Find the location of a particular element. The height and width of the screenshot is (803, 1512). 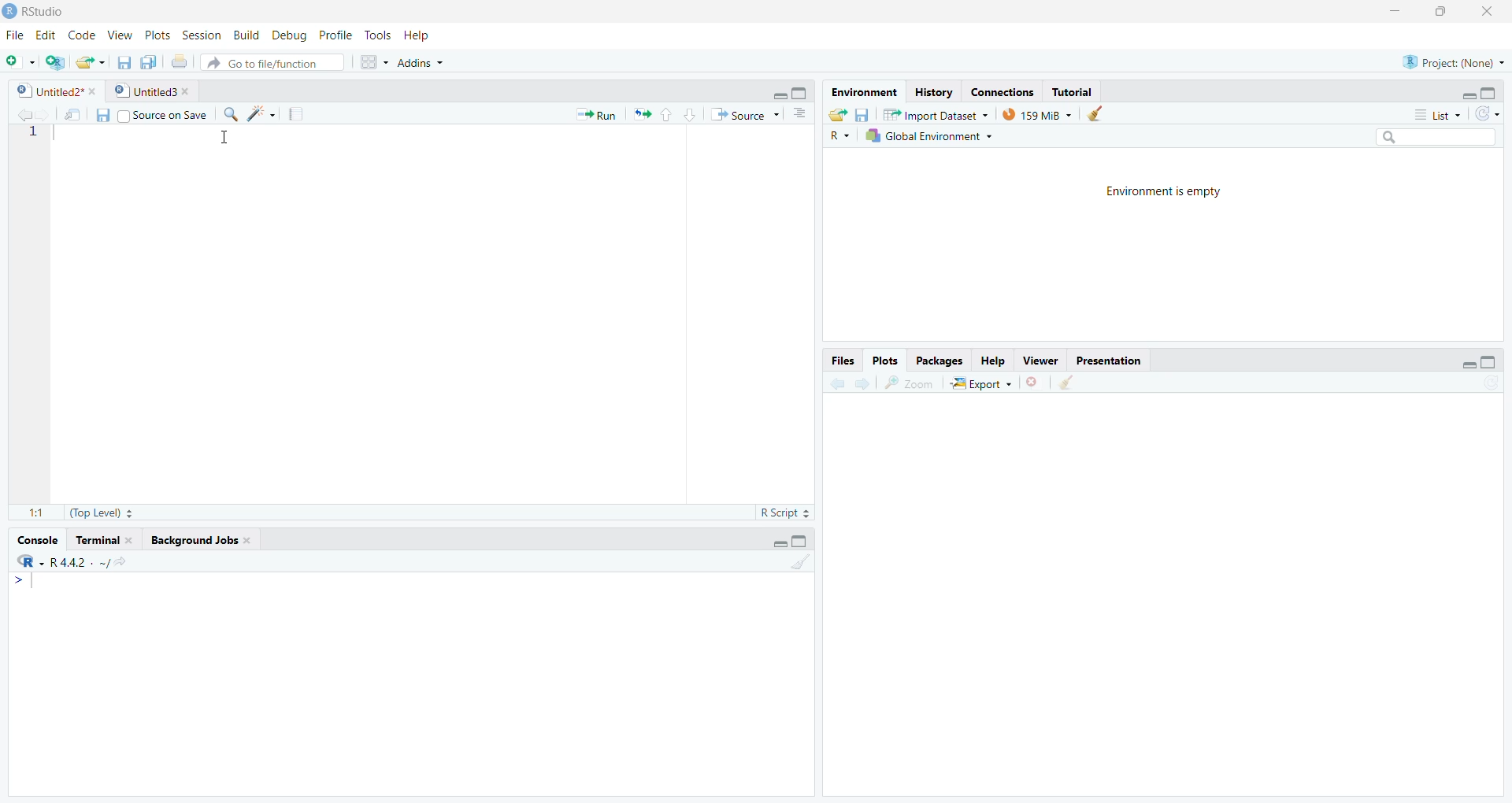

Workspace panes is located at coordinates (371, 62).